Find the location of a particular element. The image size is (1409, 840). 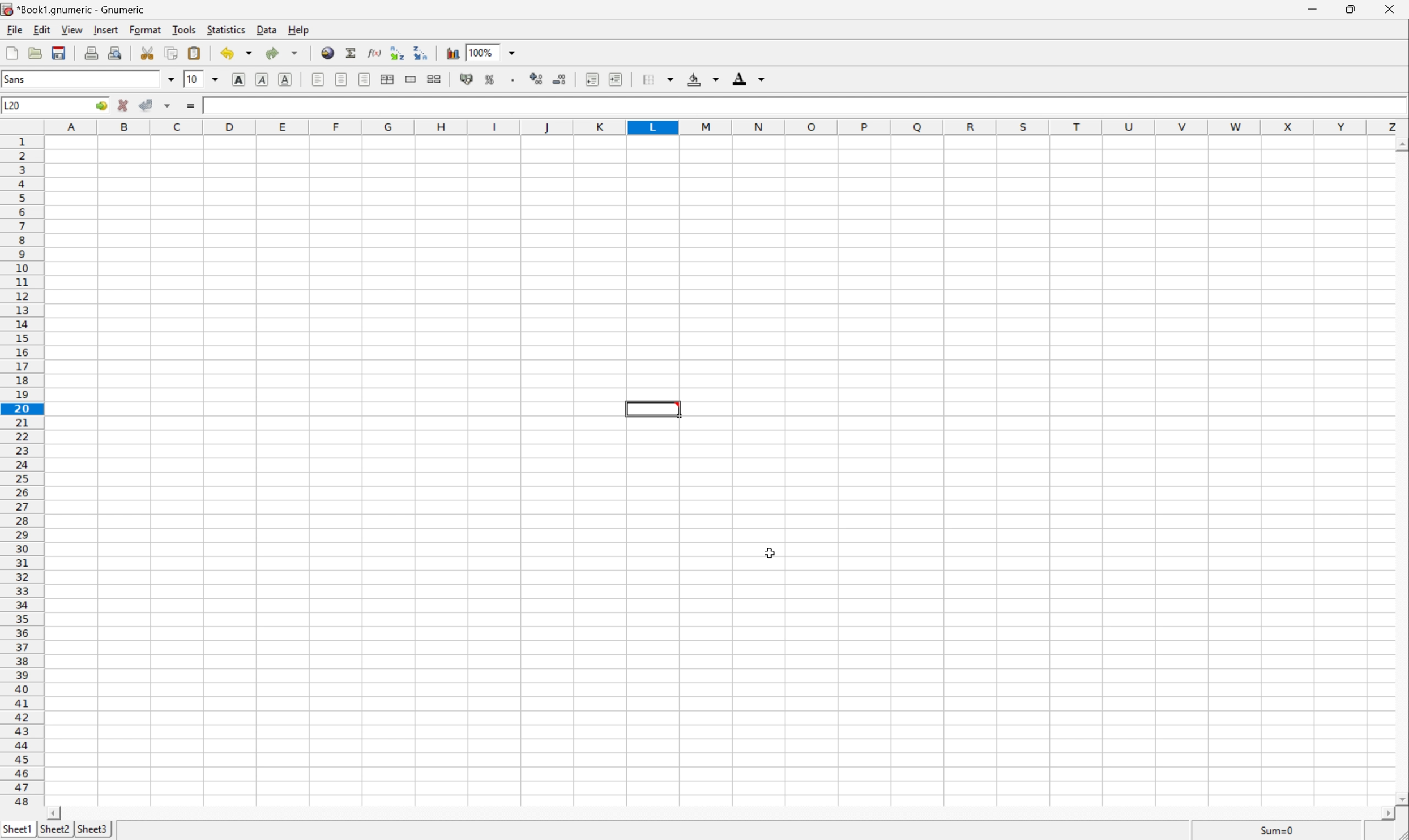

Drop Down is located at coordinates (215, 79).